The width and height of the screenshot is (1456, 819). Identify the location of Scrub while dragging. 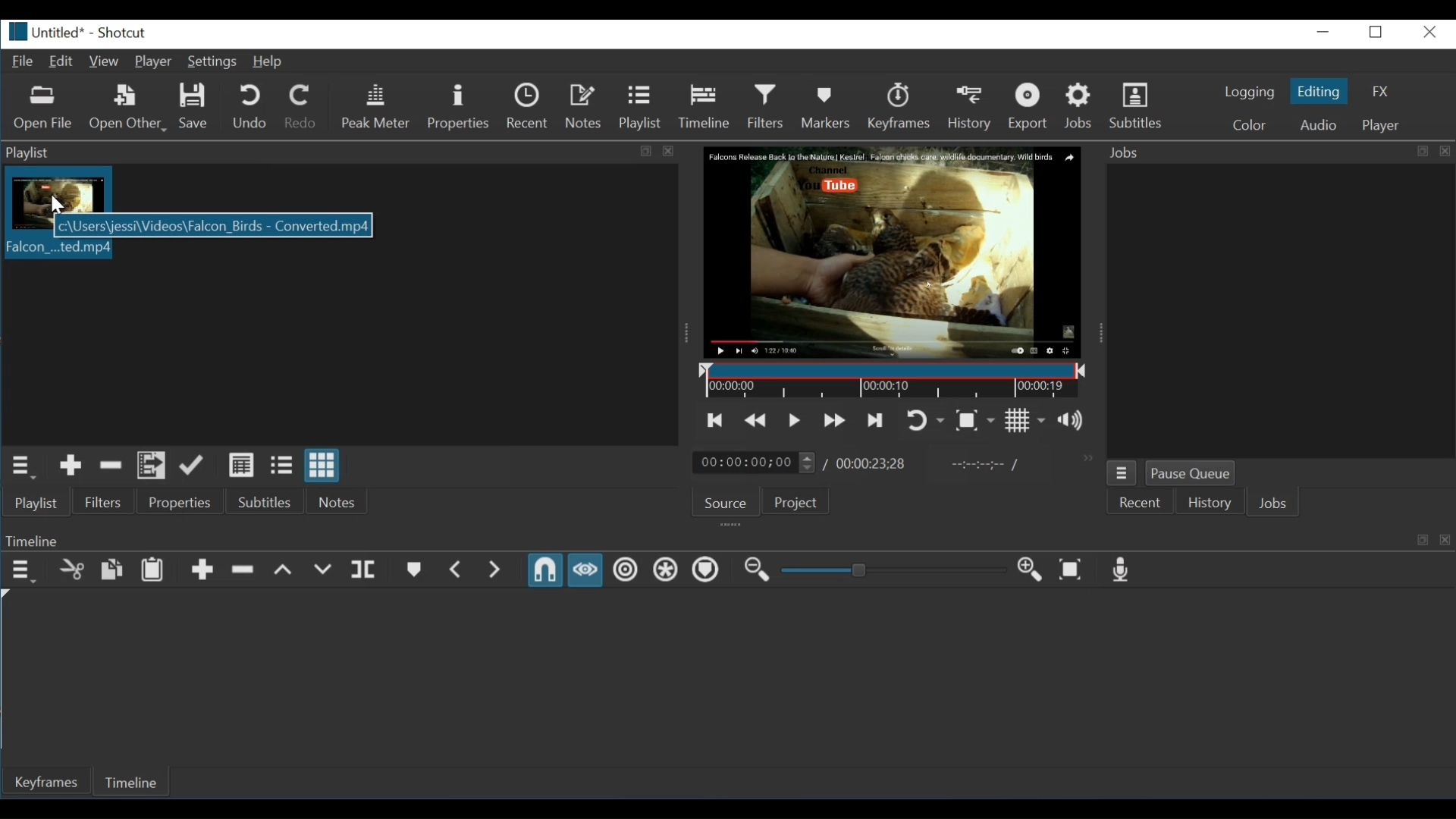
(585, 570).